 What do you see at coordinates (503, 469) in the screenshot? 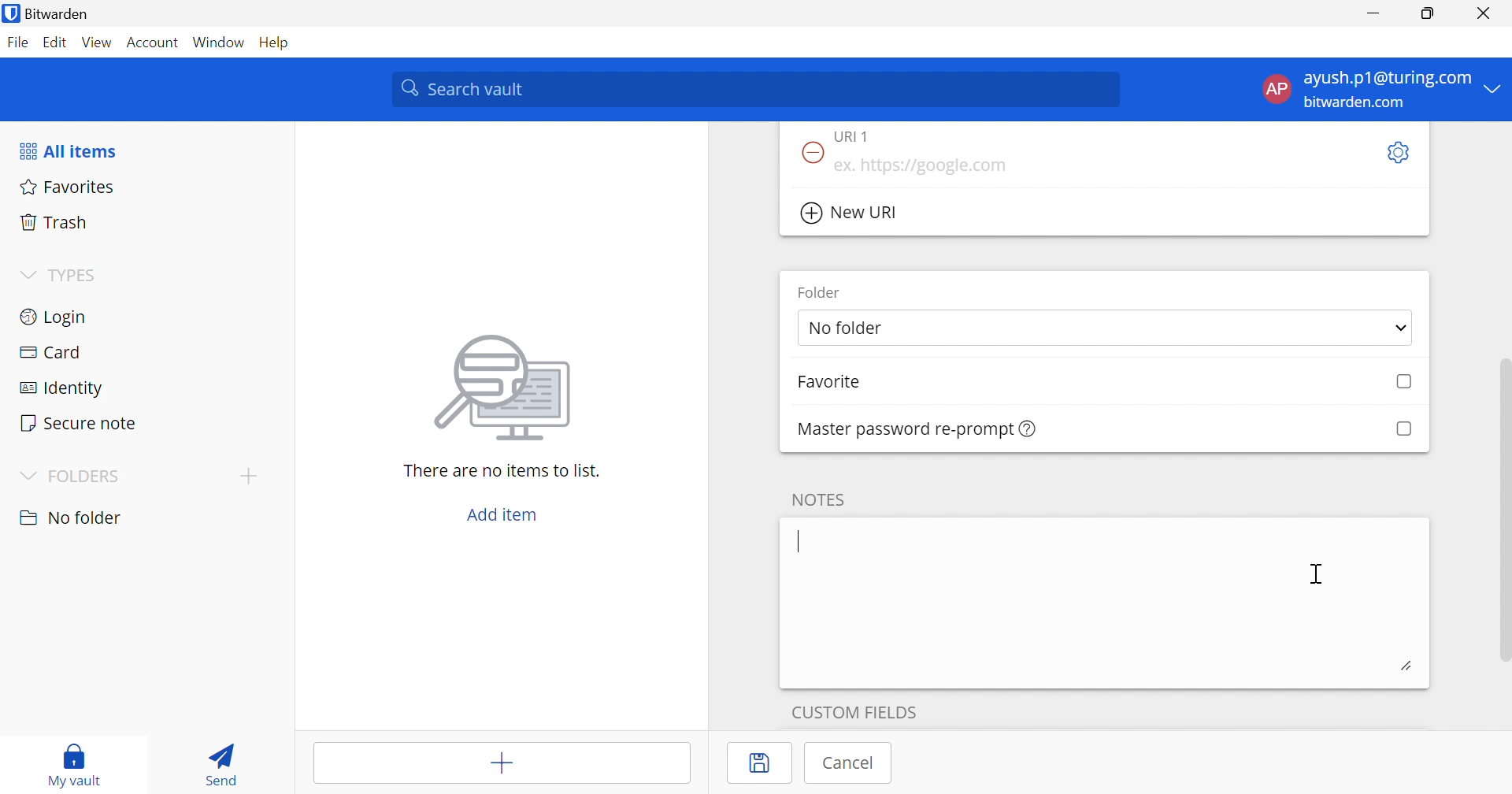
I see `There are no items to list.` at bounding box center [503, 469].